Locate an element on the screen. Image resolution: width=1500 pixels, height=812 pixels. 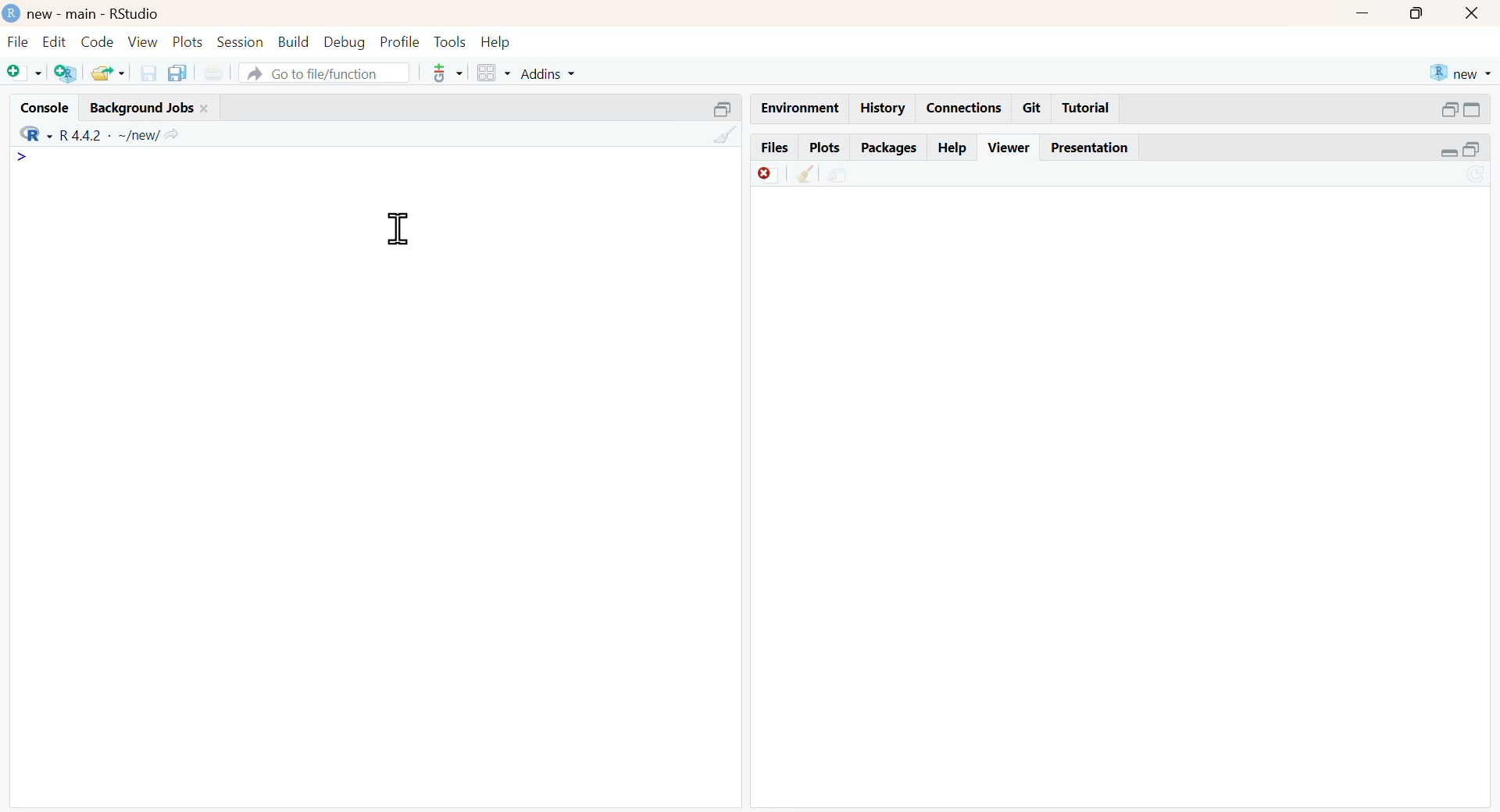
windows pane is located at coordinates (487, 73).